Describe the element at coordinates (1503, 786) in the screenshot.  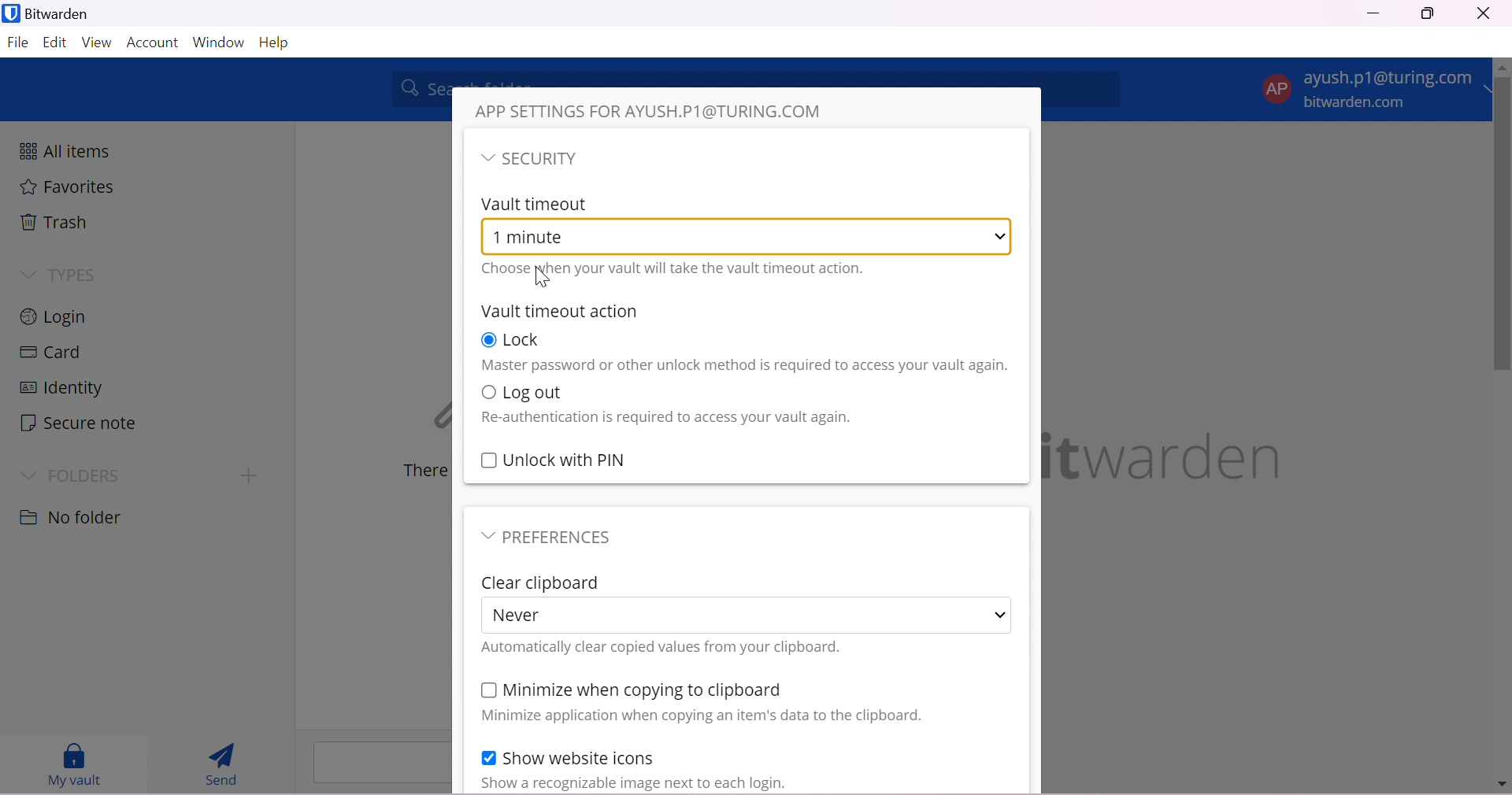
I see `move down` at that location.